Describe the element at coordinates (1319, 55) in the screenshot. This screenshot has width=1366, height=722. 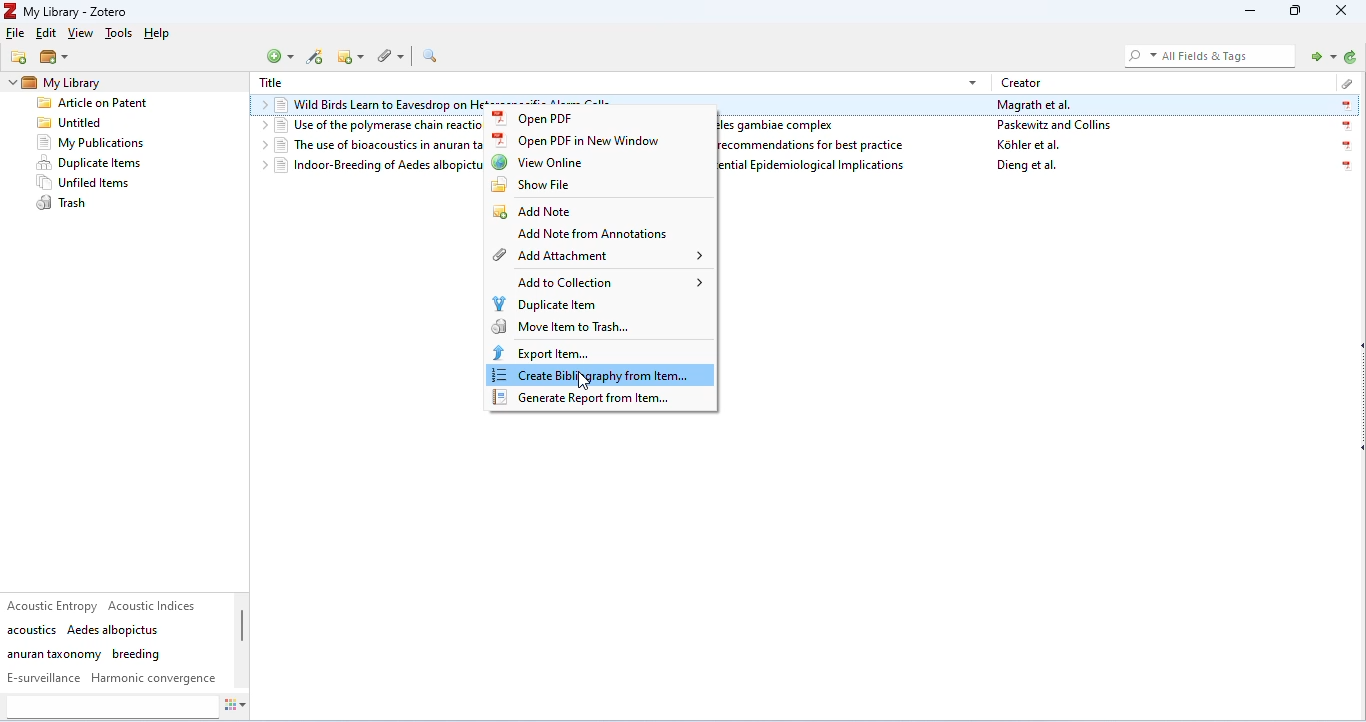
I see `locate` at that location.